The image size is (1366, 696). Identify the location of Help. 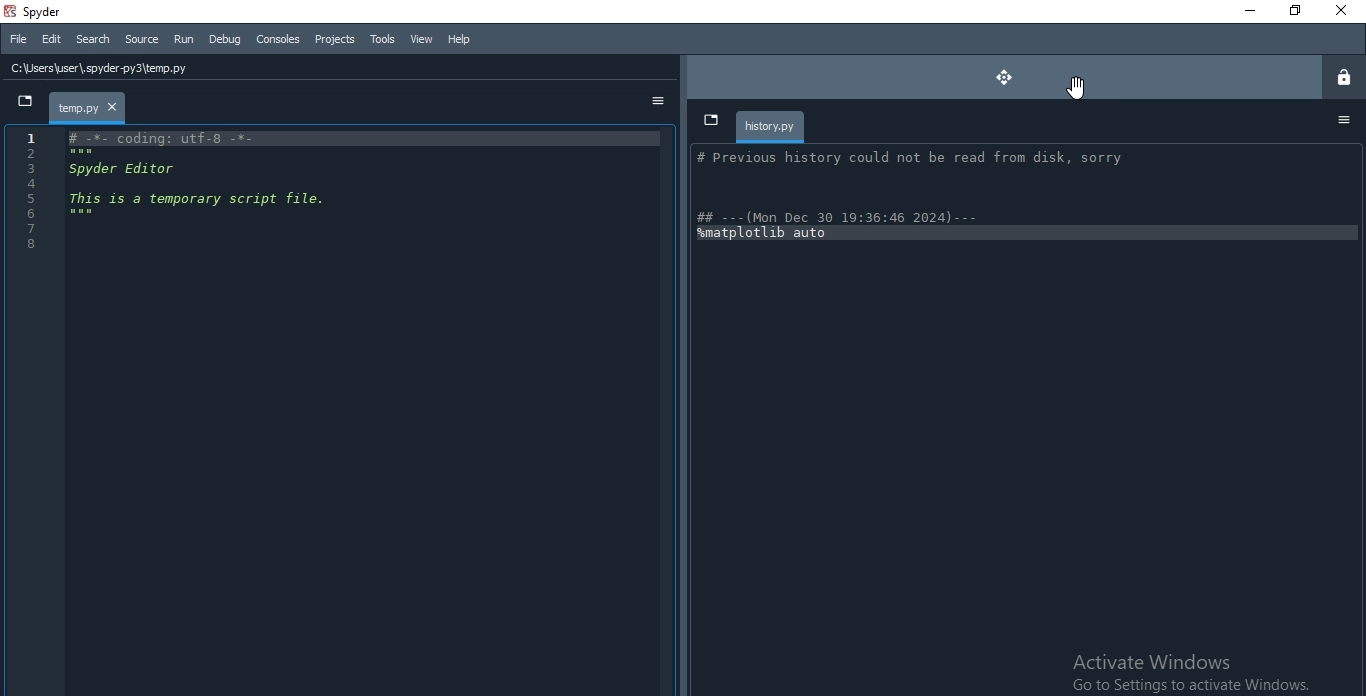
(469, 38).